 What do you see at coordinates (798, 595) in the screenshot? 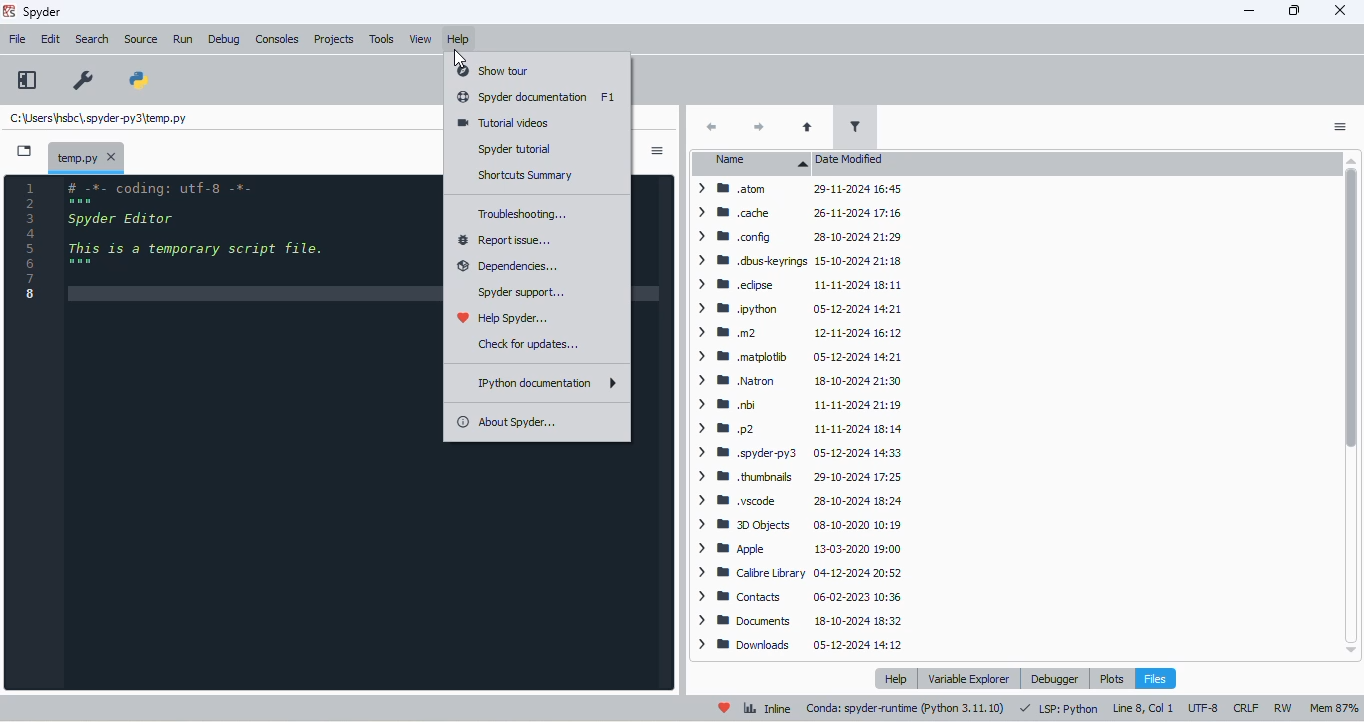
I see `> BB Contacts 06-02-2023 10:36` at bounding box center [798, 595].